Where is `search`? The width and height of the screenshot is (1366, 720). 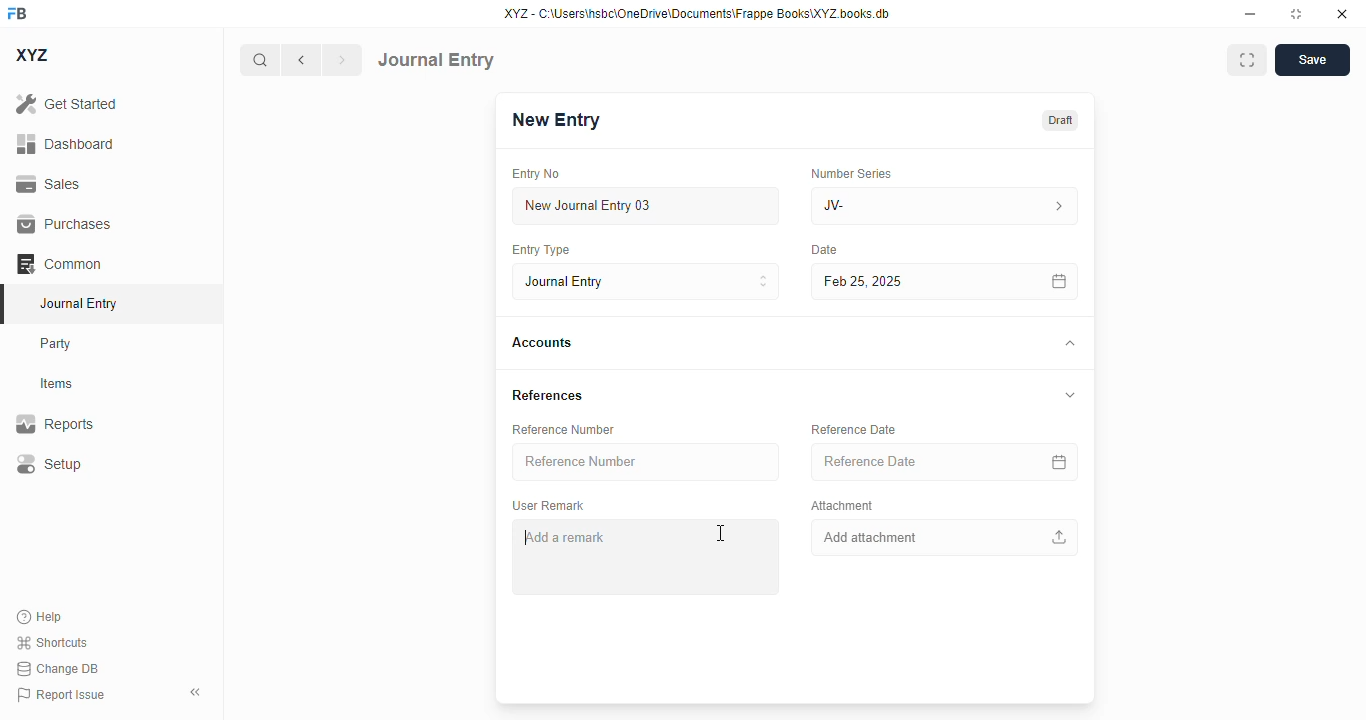
search is located at coordinates (259, 60).